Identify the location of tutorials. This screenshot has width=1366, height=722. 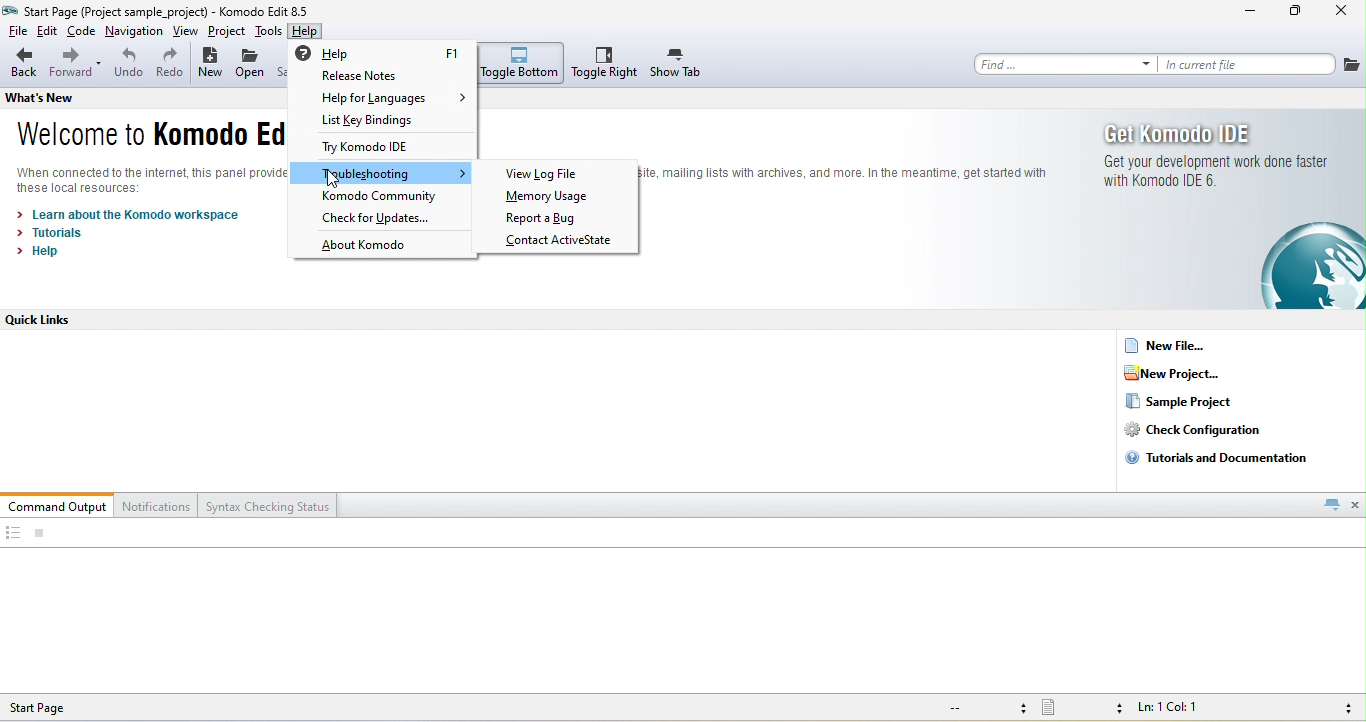
(53, 233).